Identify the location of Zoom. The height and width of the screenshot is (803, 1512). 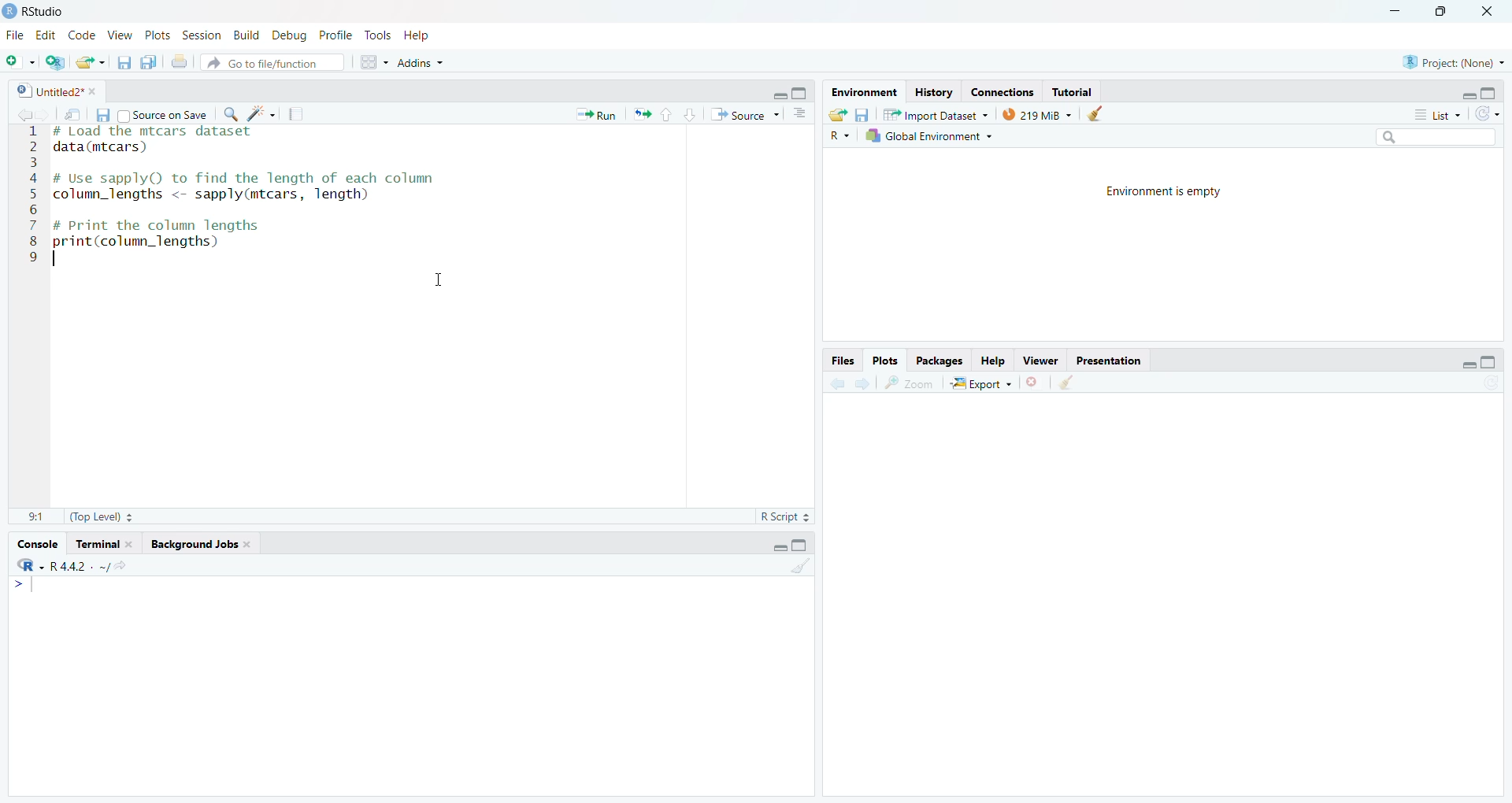
(909, 383).